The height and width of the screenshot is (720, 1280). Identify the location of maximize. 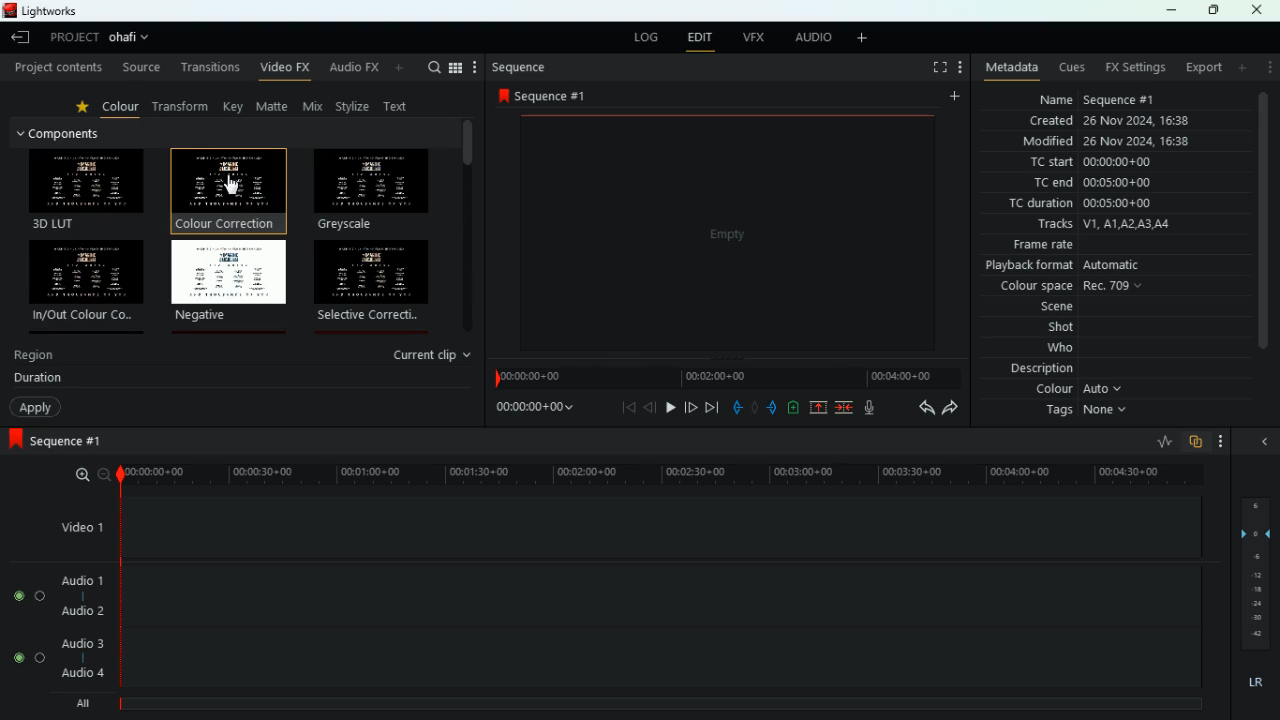
(1212, 11).